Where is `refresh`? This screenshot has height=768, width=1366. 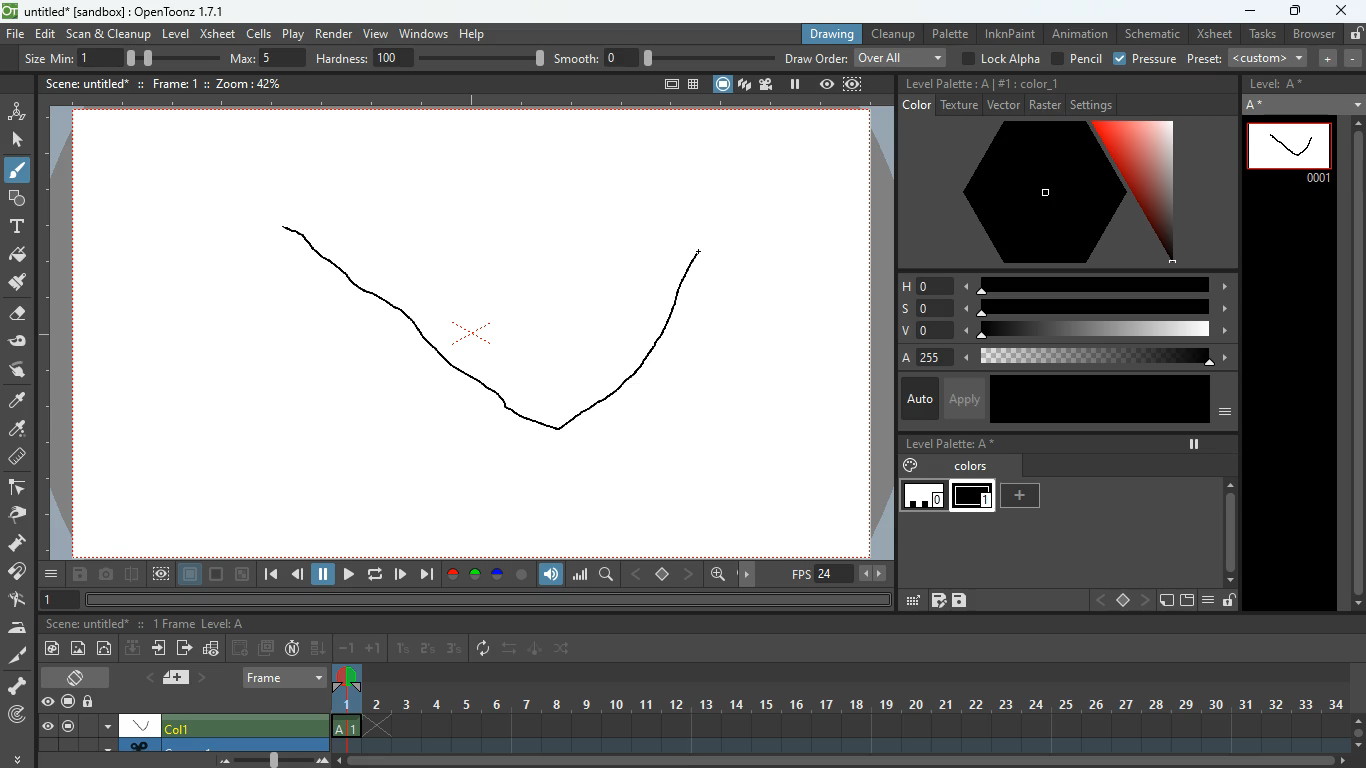
refresh is located at coordinates (487, 649).